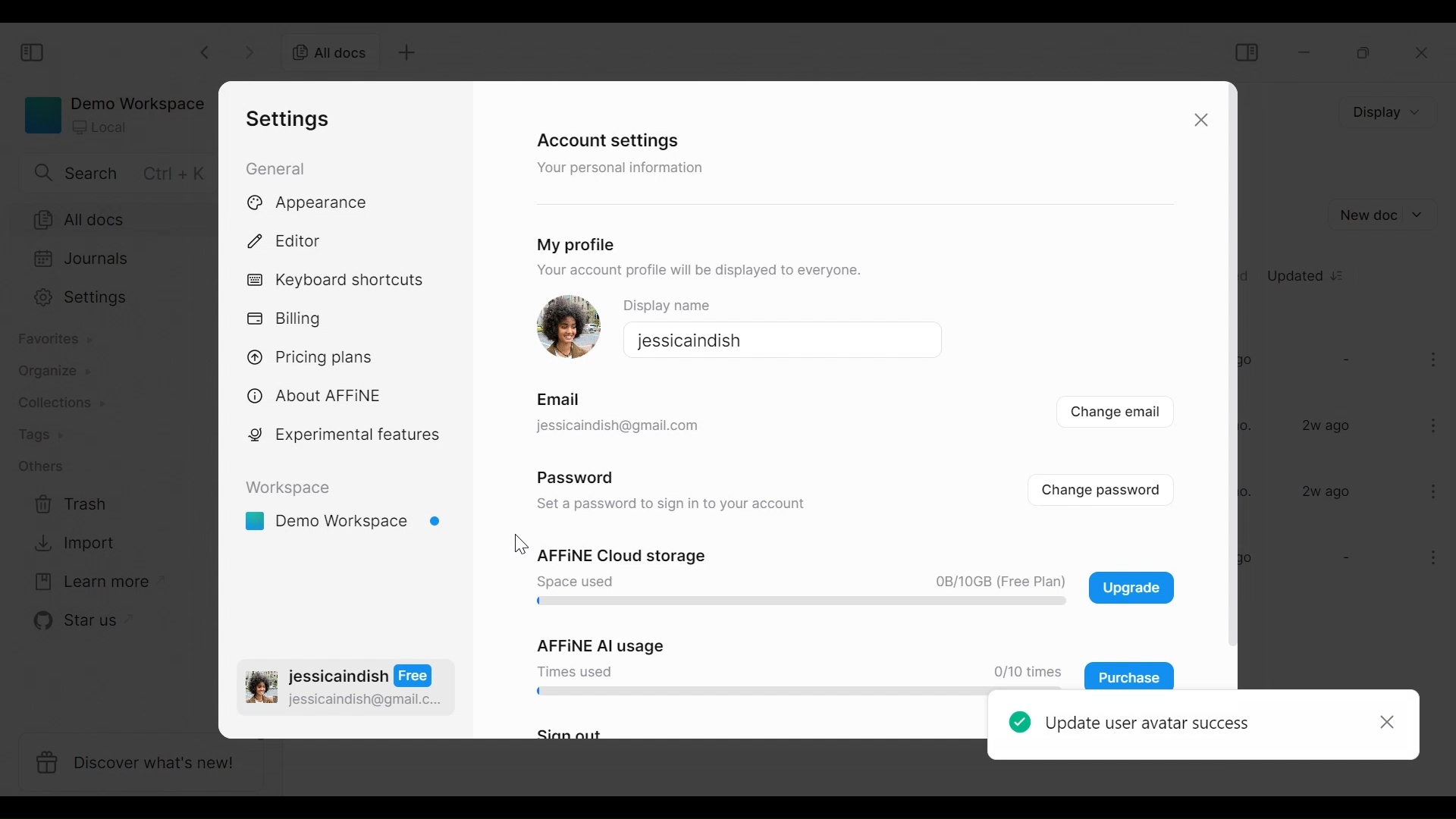 The width and height of the screenshot is (1456, 819). I want to click on Experimental features, so click(344, 435).